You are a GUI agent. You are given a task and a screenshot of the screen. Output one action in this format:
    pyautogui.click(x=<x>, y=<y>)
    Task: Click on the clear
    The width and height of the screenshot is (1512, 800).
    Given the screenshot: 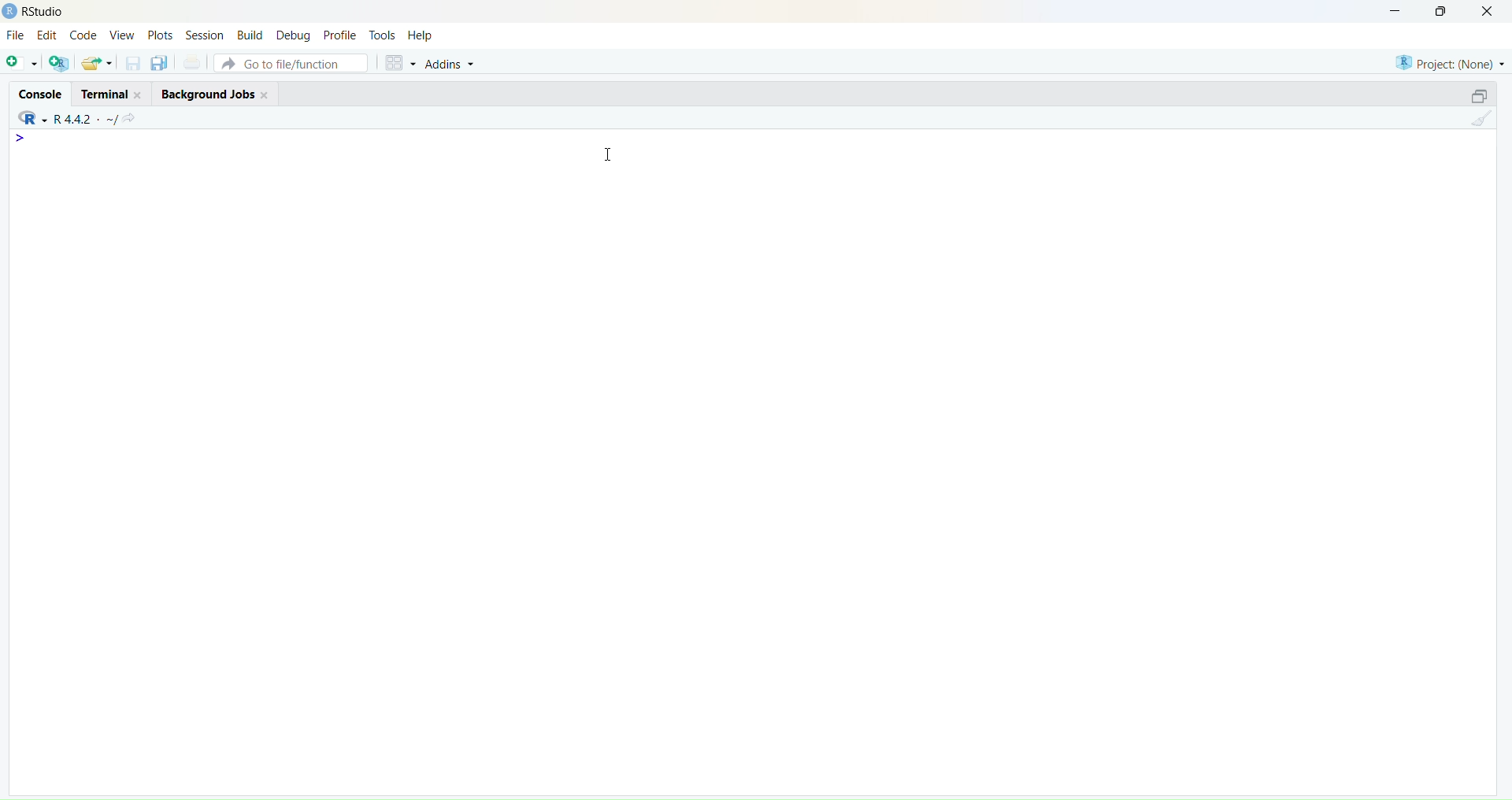 What is the action you would take?
    pyautogui.click(x=1485, y=122)
    